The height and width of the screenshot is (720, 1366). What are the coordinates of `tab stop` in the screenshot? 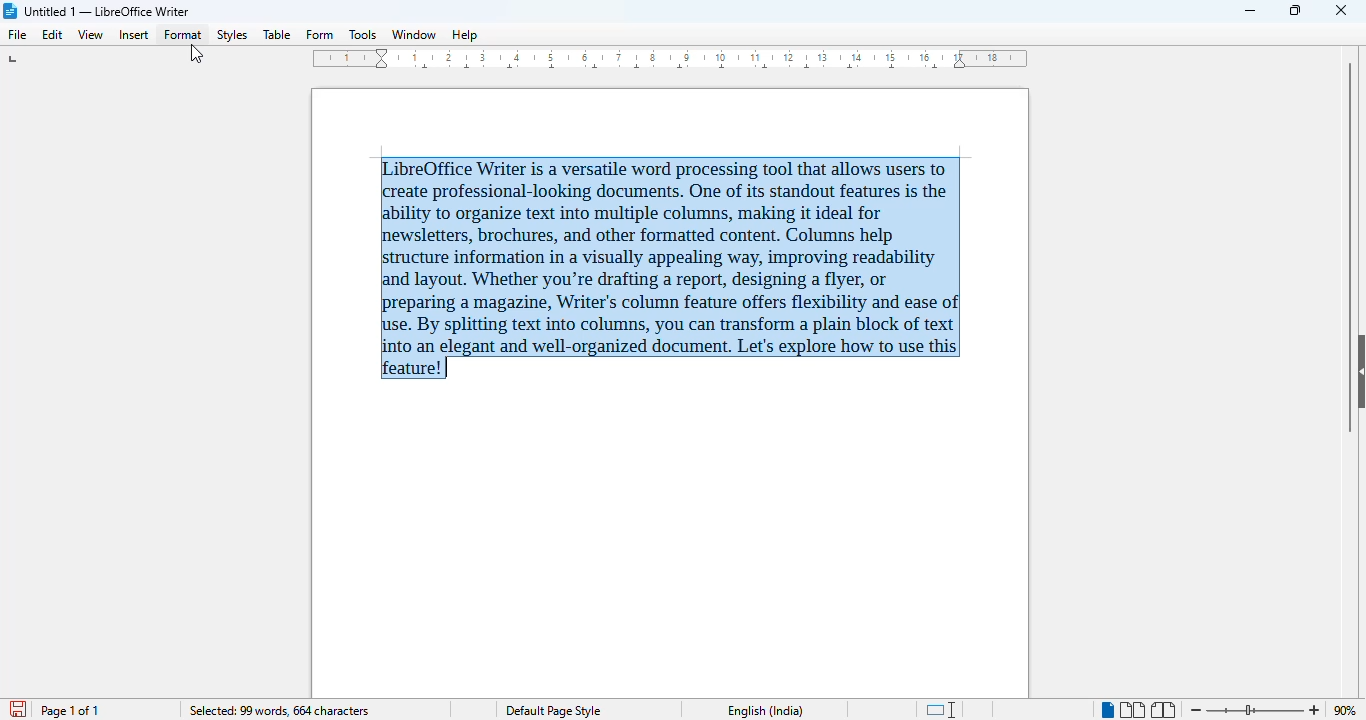 It's located at (15, 59).